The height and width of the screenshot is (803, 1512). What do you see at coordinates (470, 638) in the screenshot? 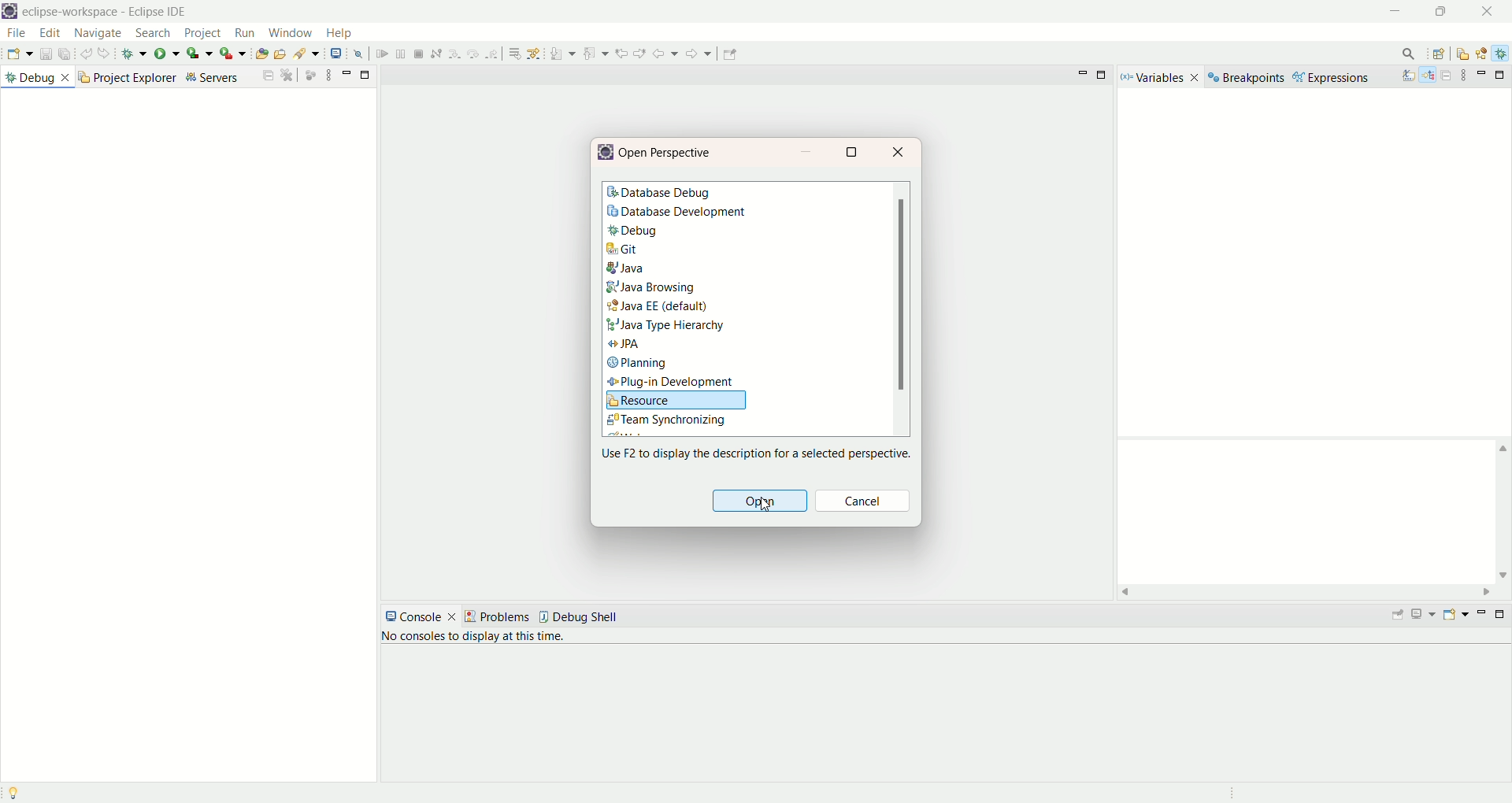
I see `no console to display at the time` at bounding box center [470, 638].